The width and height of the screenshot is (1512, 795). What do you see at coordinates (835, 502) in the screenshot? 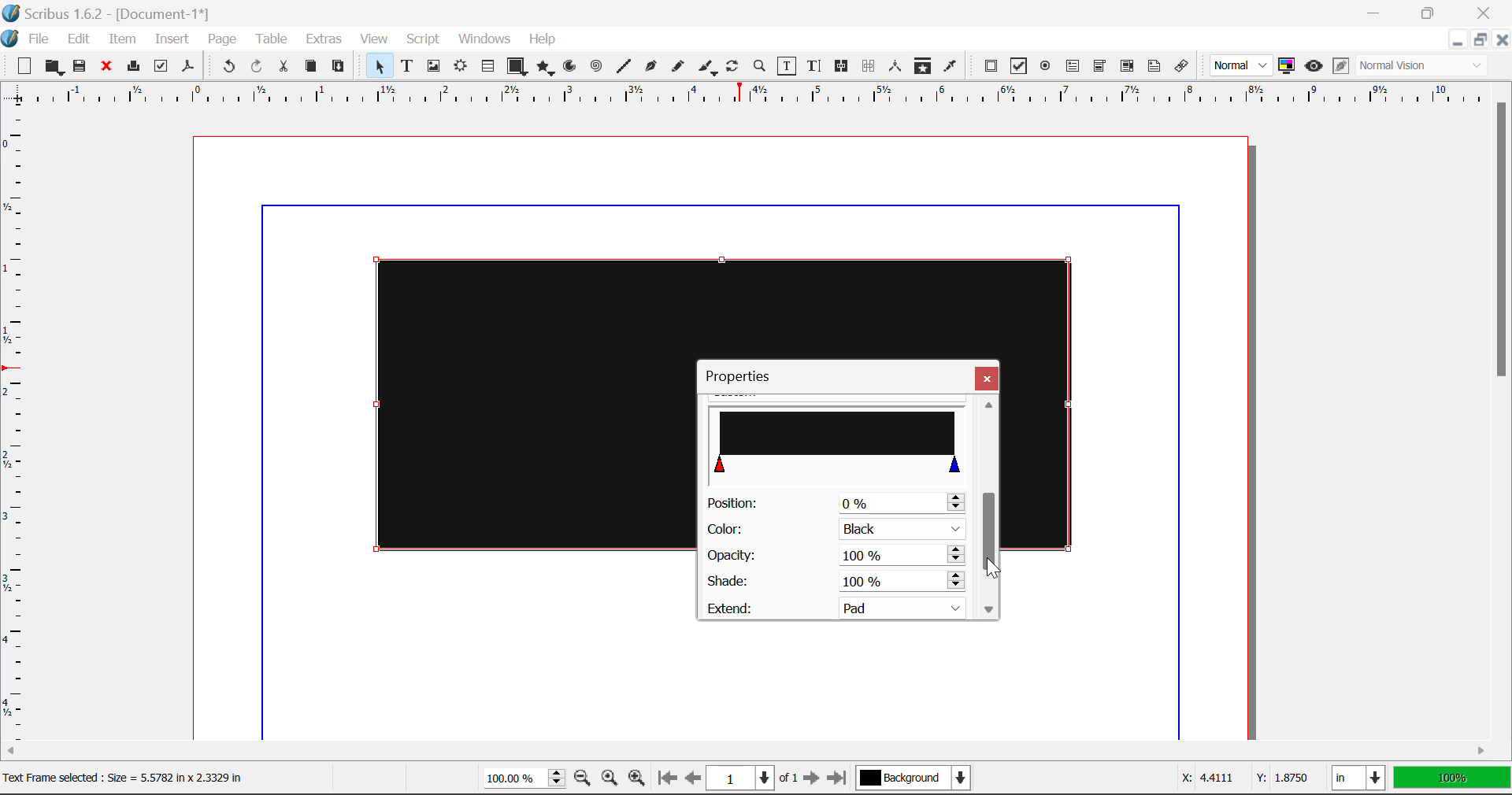
I see `Position` at bounding box center [835, 502].